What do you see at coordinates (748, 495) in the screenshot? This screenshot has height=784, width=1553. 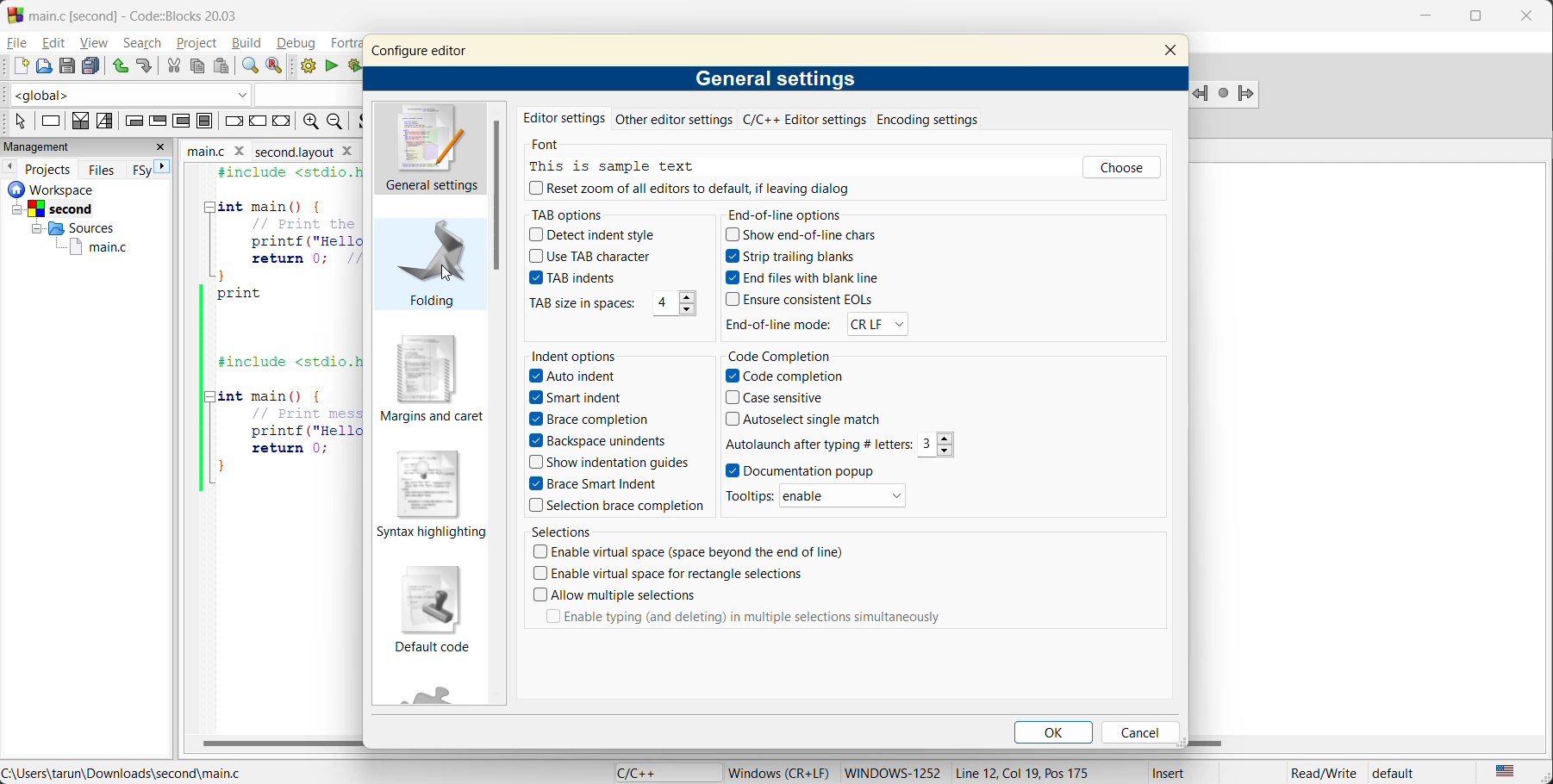 I see `Tool` at bounding box center [748, 495].